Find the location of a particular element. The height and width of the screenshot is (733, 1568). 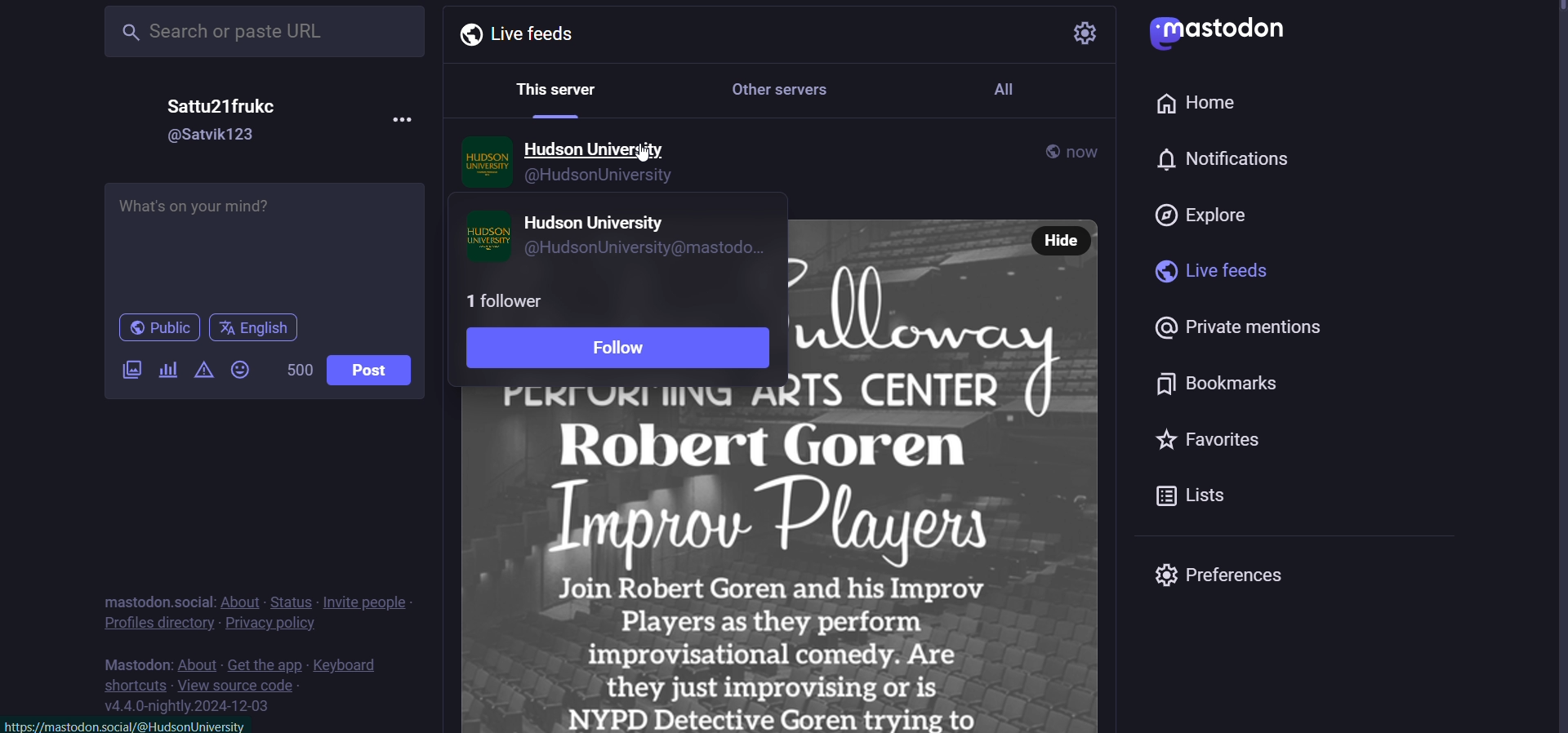

status is located at coordinates (292, 601).